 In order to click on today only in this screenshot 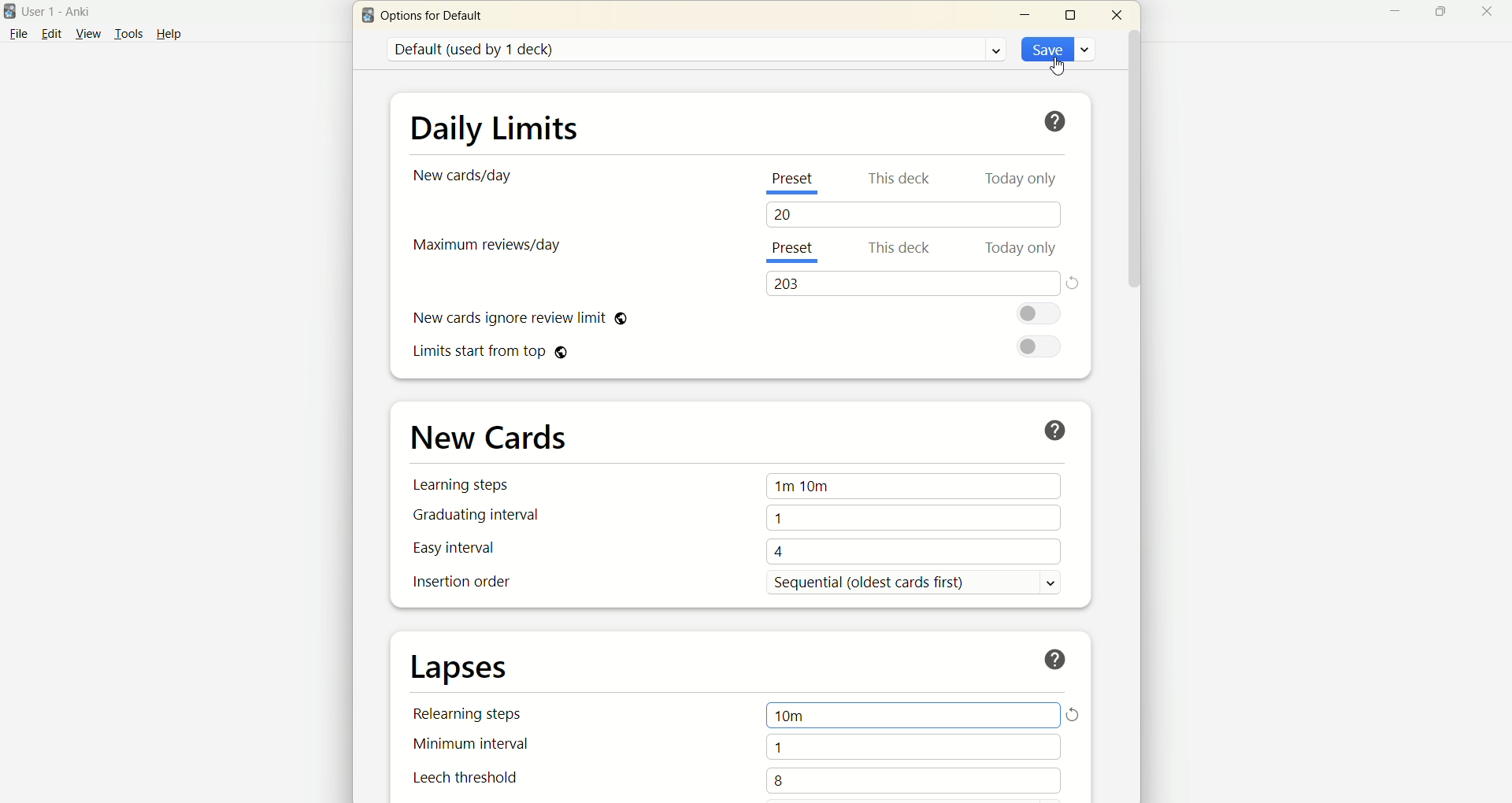, I will do `click(1023, 249)`.